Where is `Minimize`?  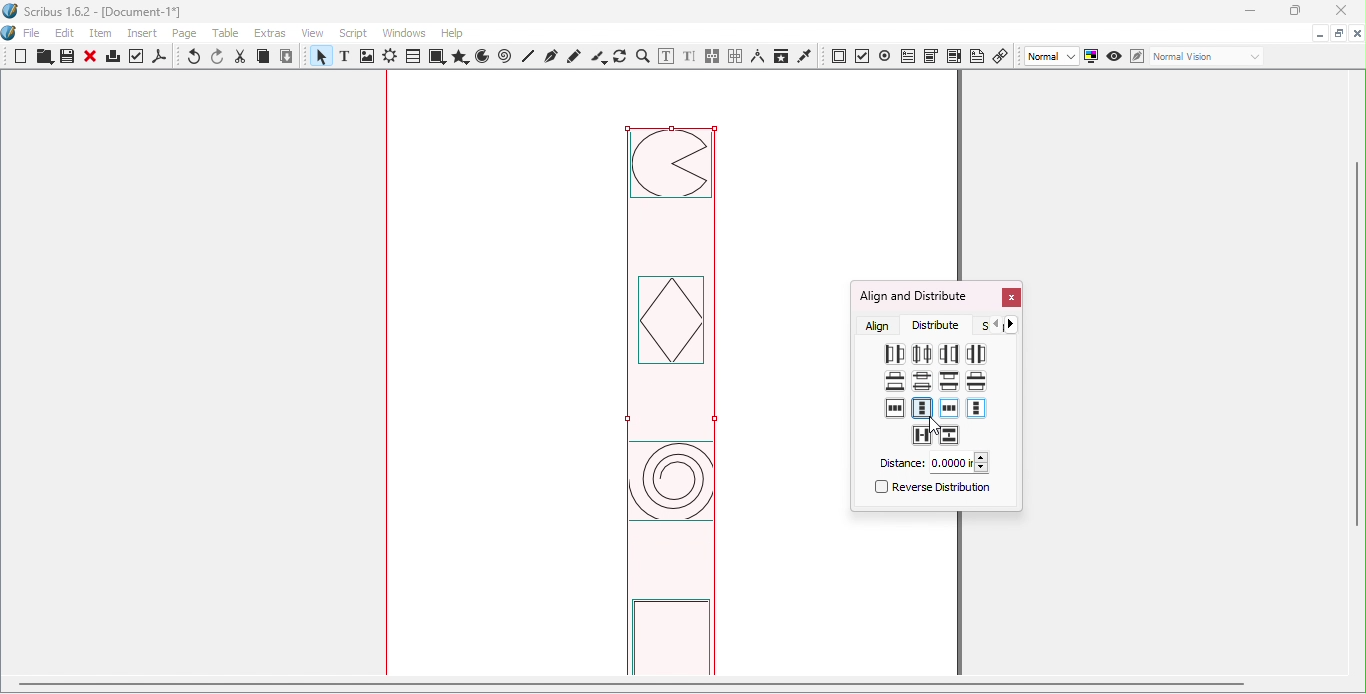
Minimize is located at coordinates (1318, 32).